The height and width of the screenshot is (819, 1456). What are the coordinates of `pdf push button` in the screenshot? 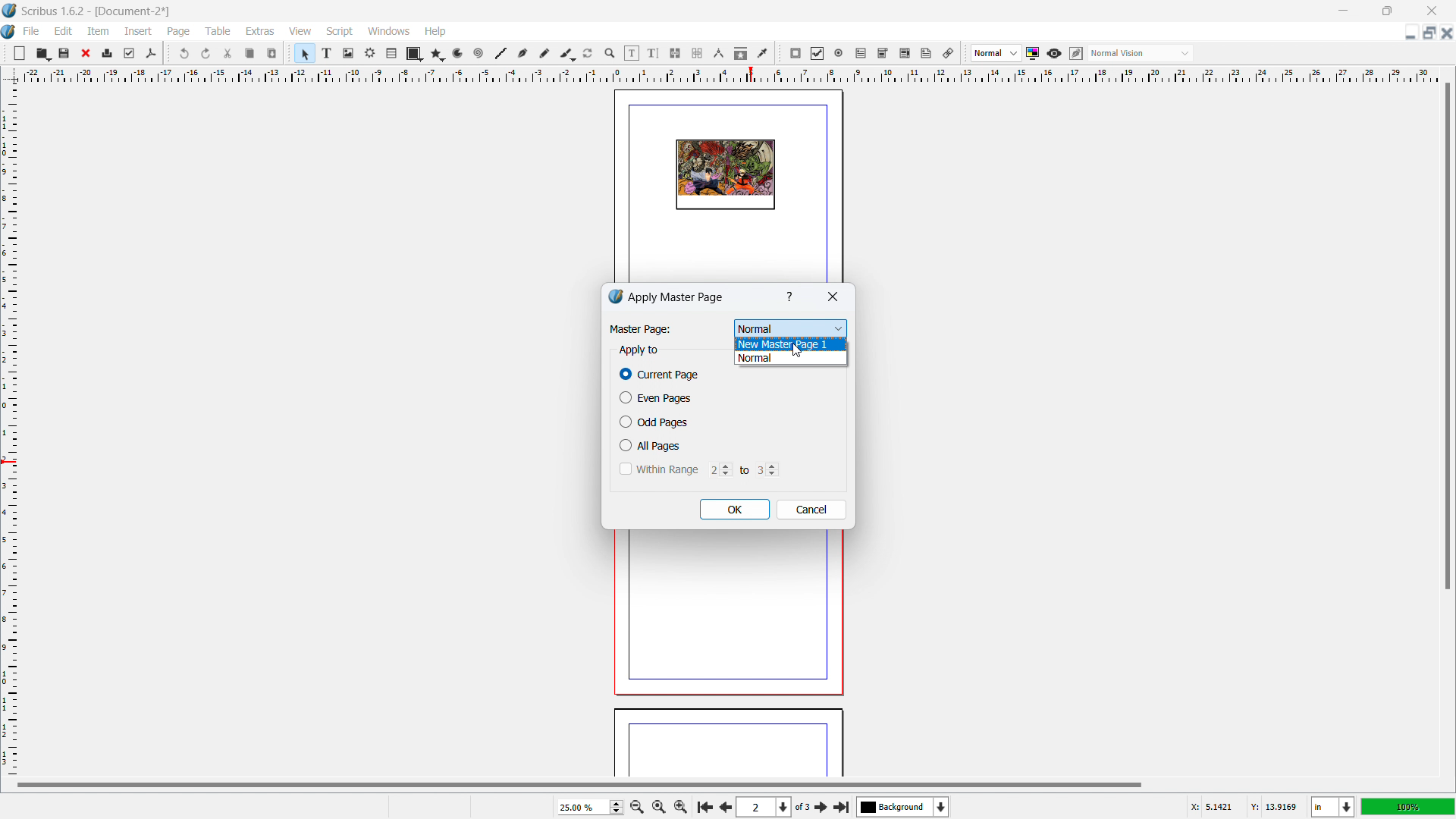 It's located at (795, 53).